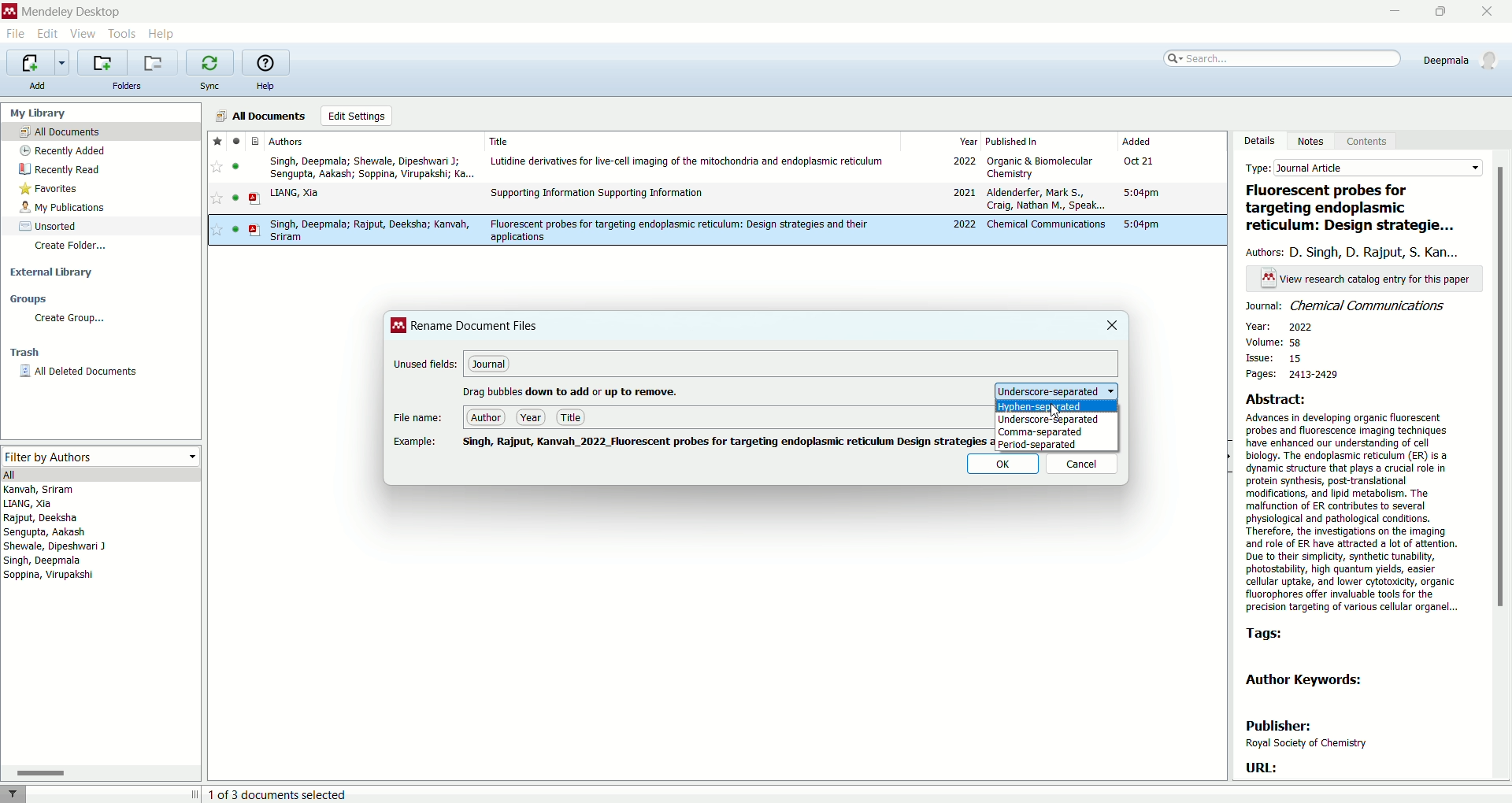 The image size is (1512, 803). What do you see at coordinates (63, 536) in the screenshot?
I see `authors` at bounding box center [63, 536].